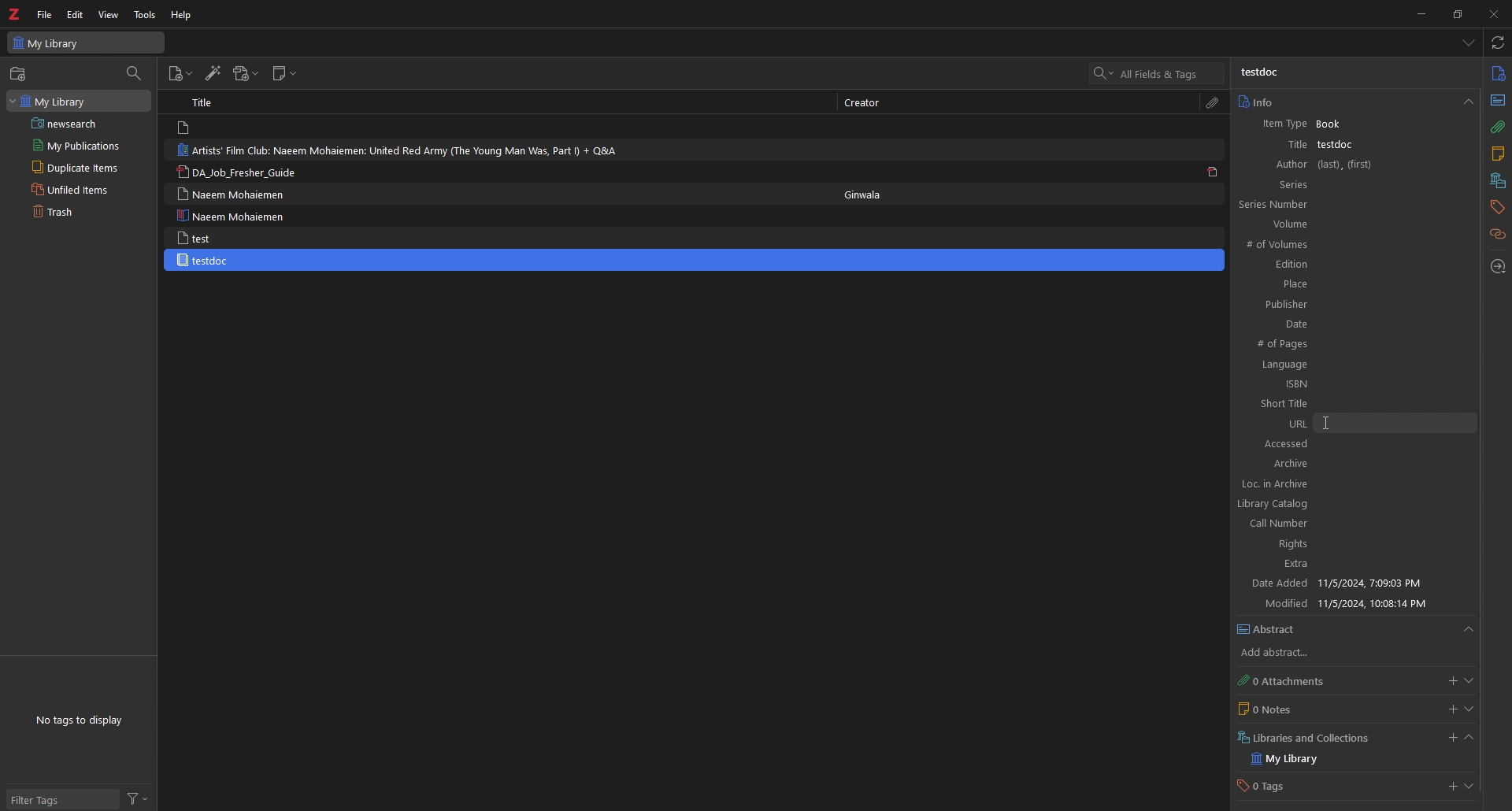 The image size is (1512, 811). What do you see at coordinates (135, 73) in the screenshot?
I see `filter items` at bounding box center [135, 73].